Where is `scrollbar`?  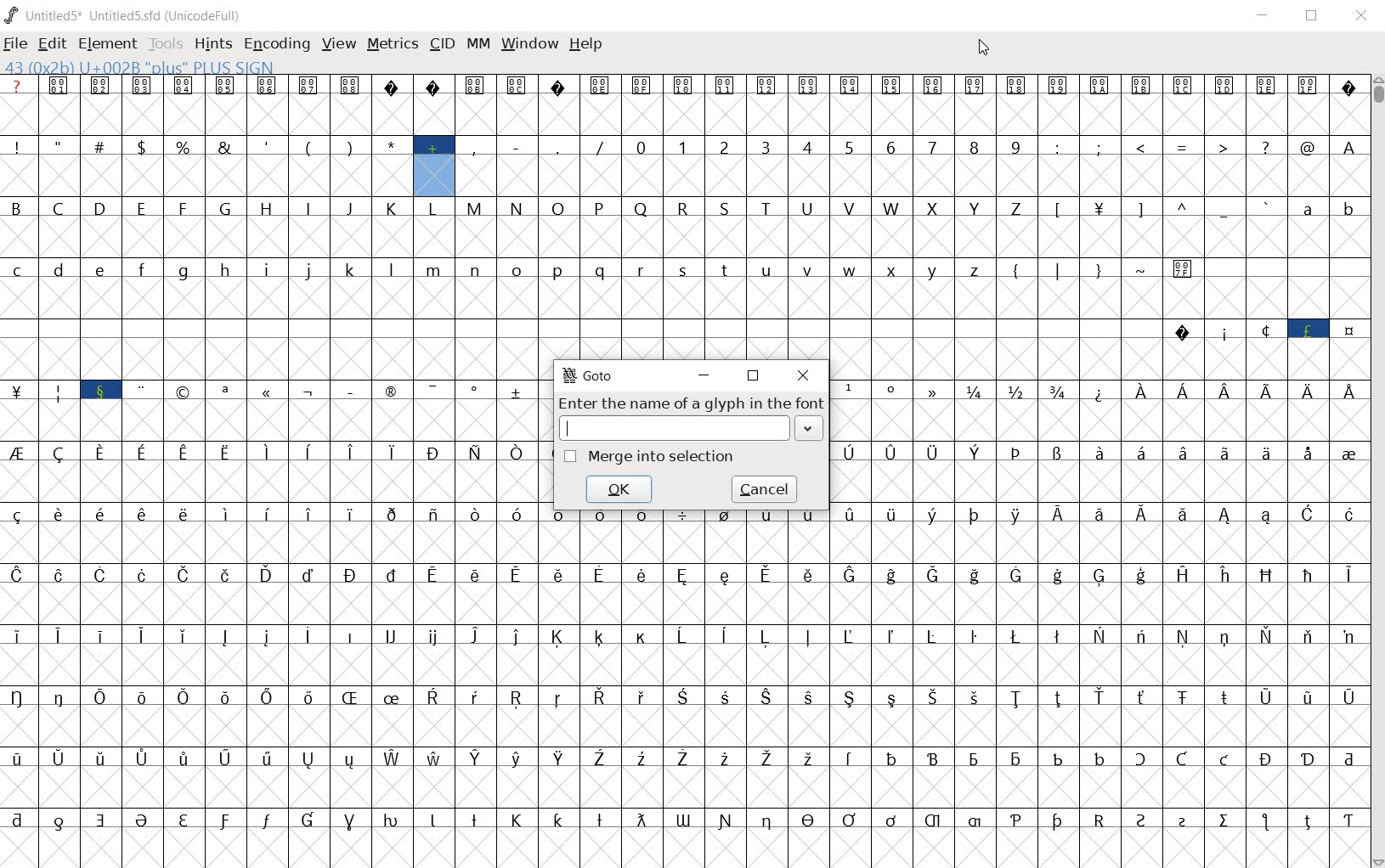
scrollbar is located at coordinates (1377, 471).